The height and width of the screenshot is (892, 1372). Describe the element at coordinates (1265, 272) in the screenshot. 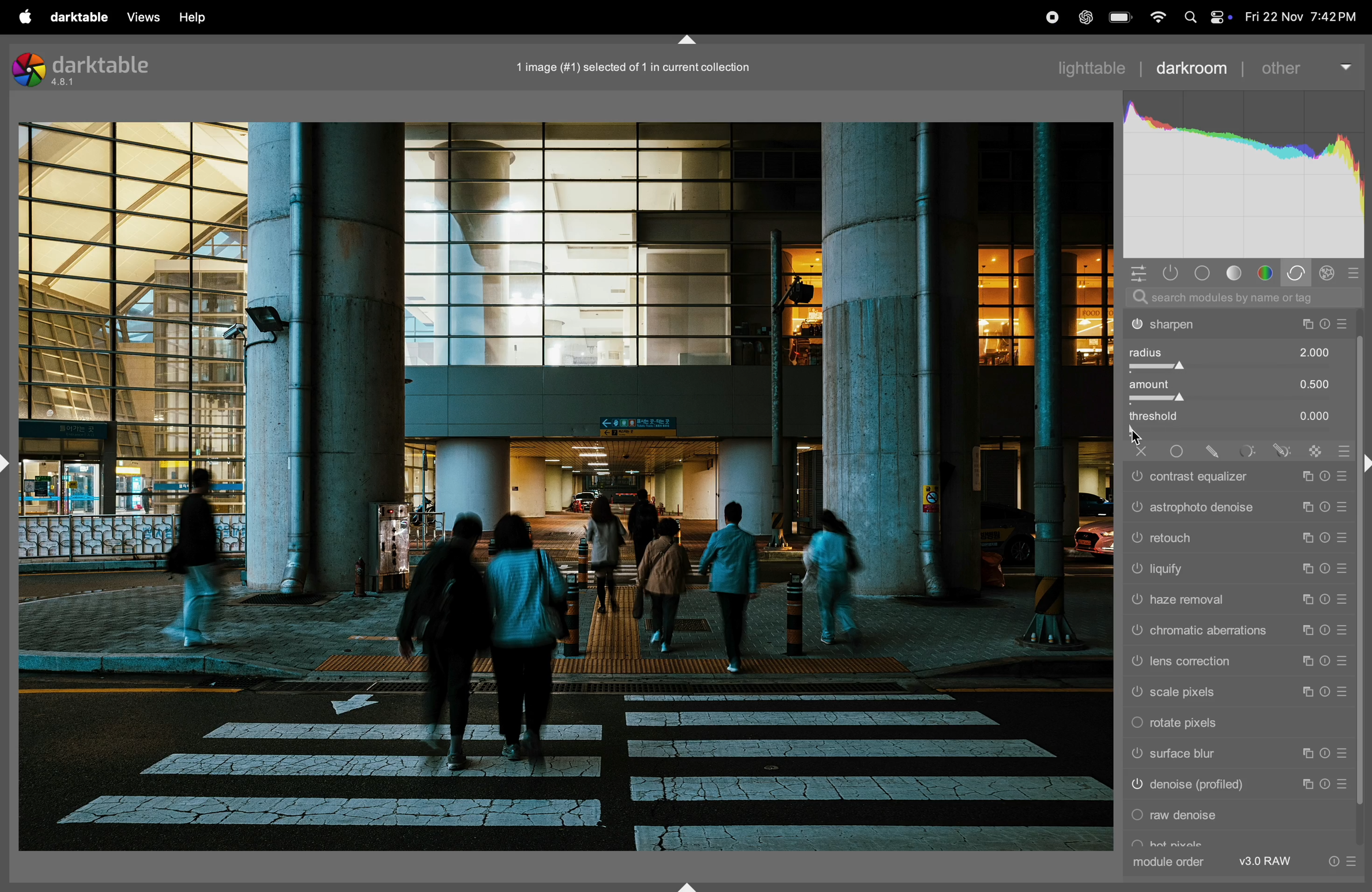

I see `colors` at that location.